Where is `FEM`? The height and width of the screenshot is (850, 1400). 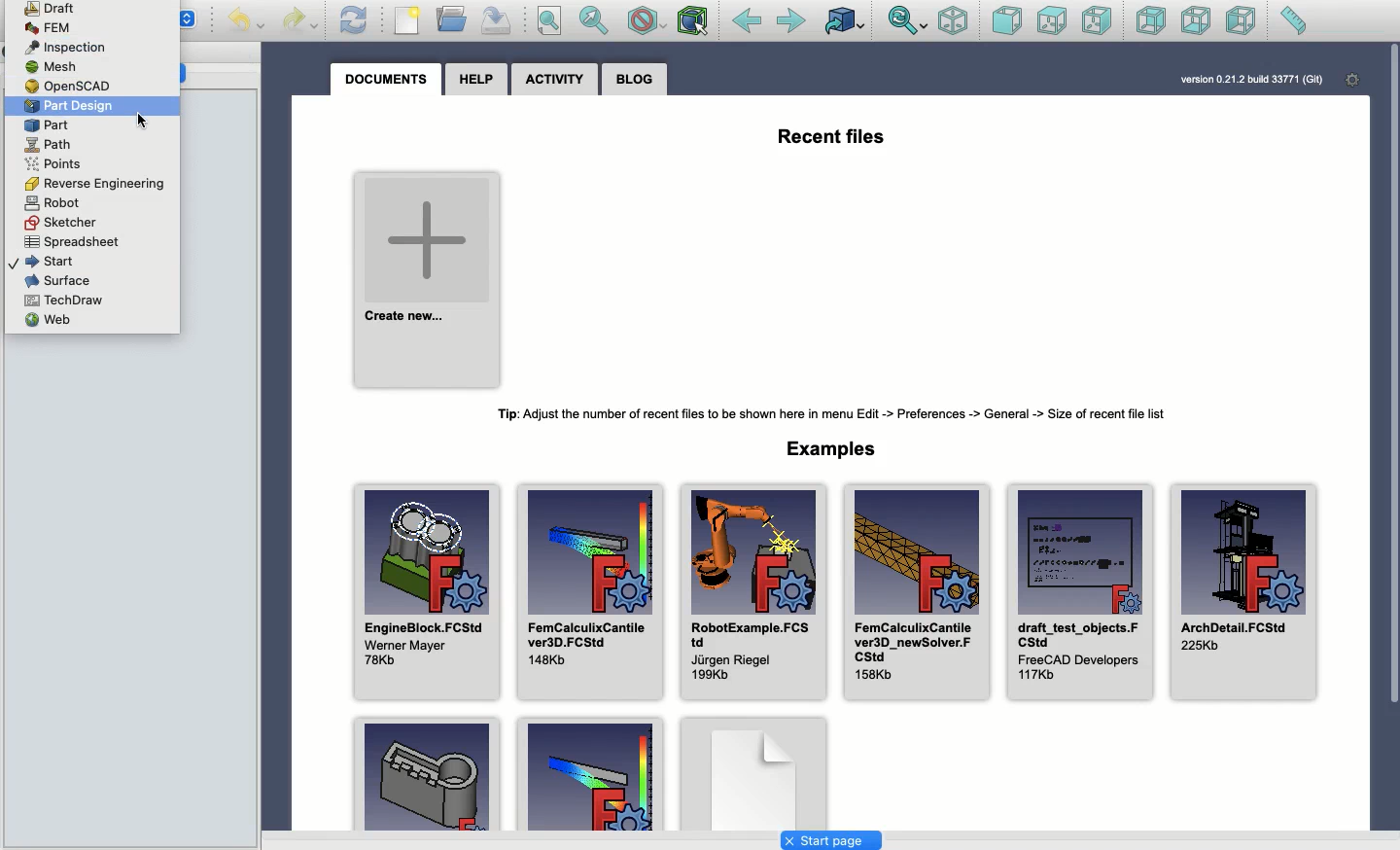
FEM is located at coordinates (55, 28).